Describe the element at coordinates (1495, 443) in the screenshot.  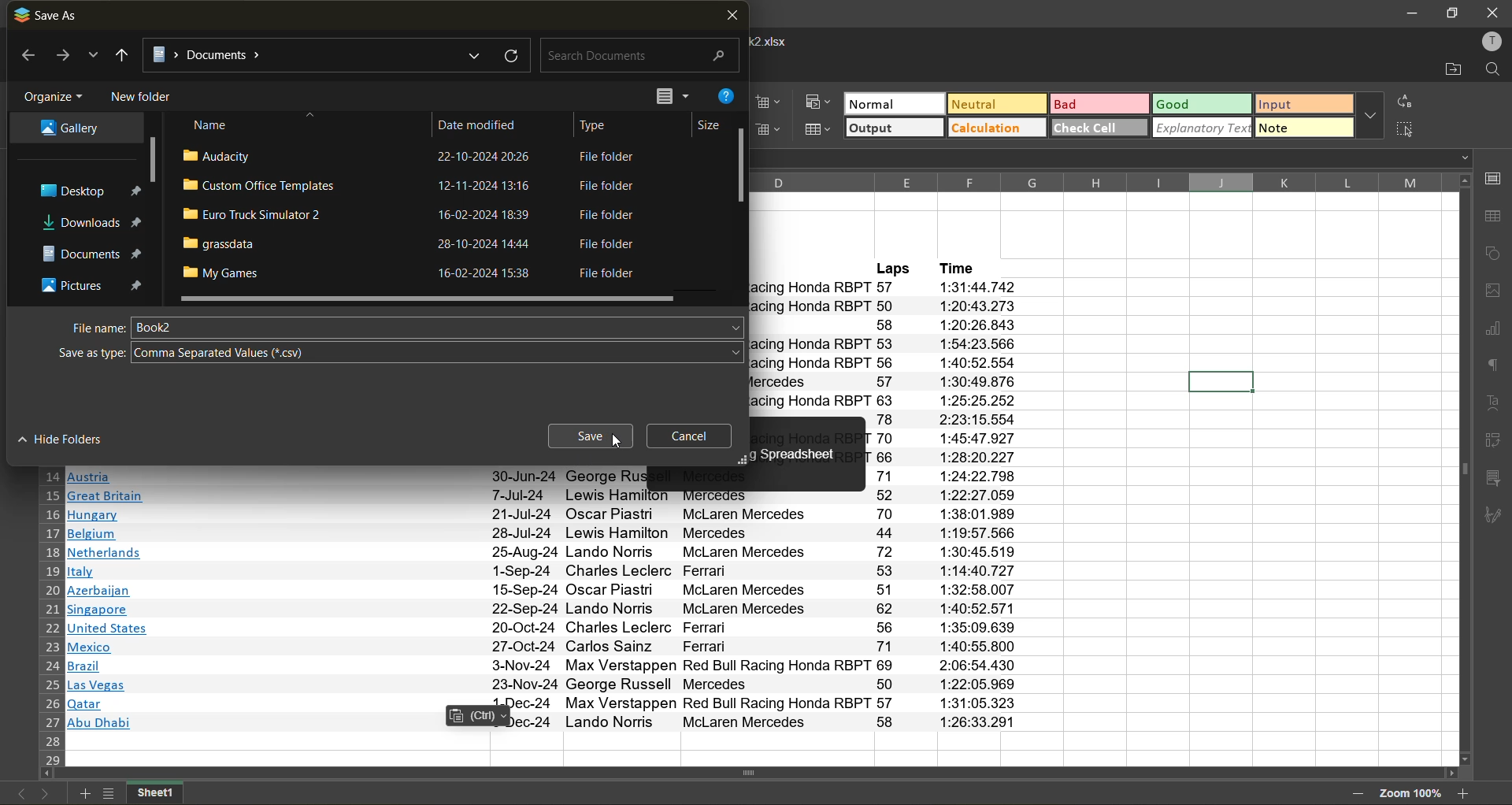
I see `pivot table` at that location.